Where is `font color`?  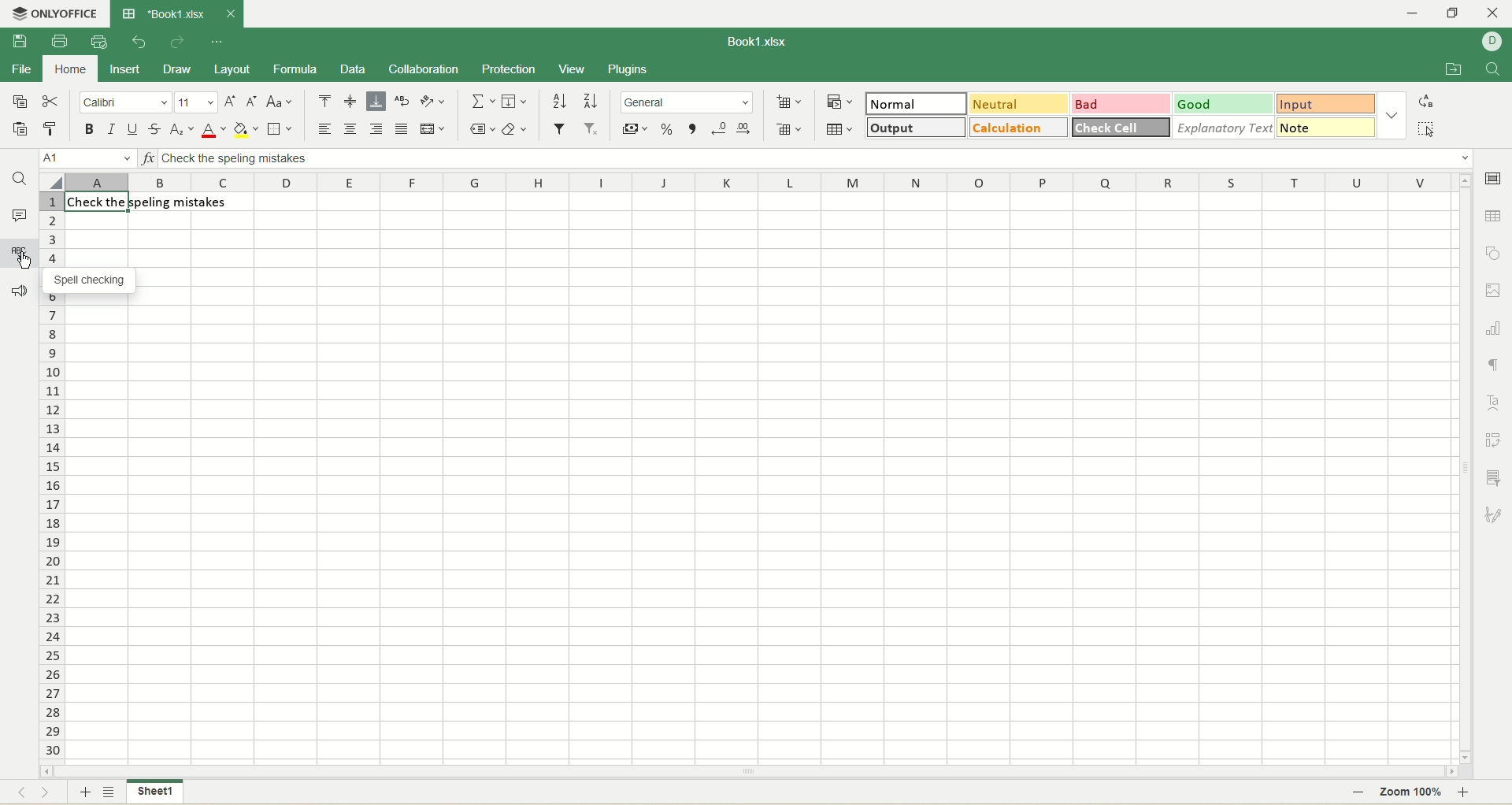
font color is located at coordinates (214, 132).